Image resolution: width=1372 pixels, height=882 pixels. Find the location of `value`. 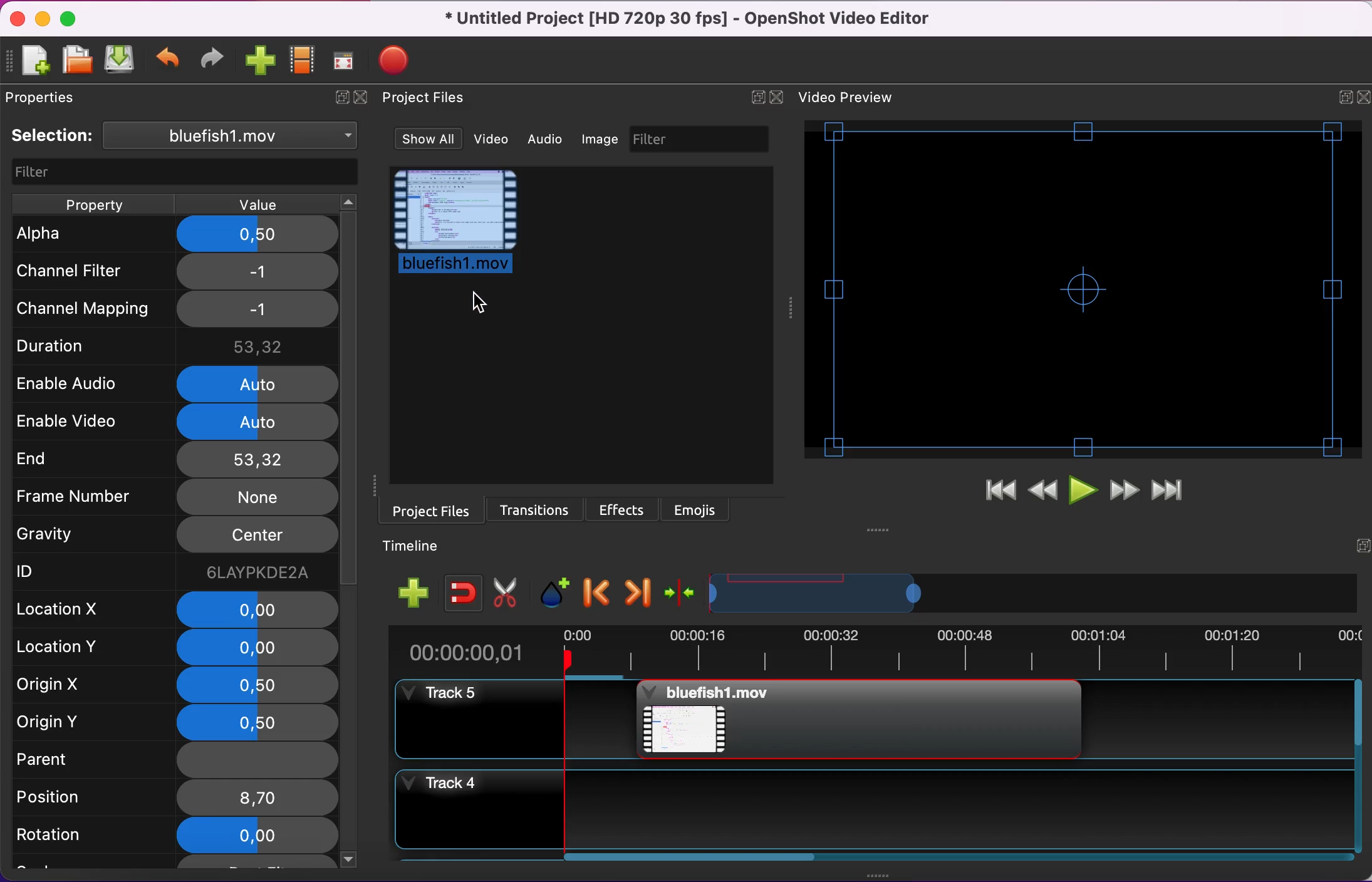

value is located at coordinates (272, 201).